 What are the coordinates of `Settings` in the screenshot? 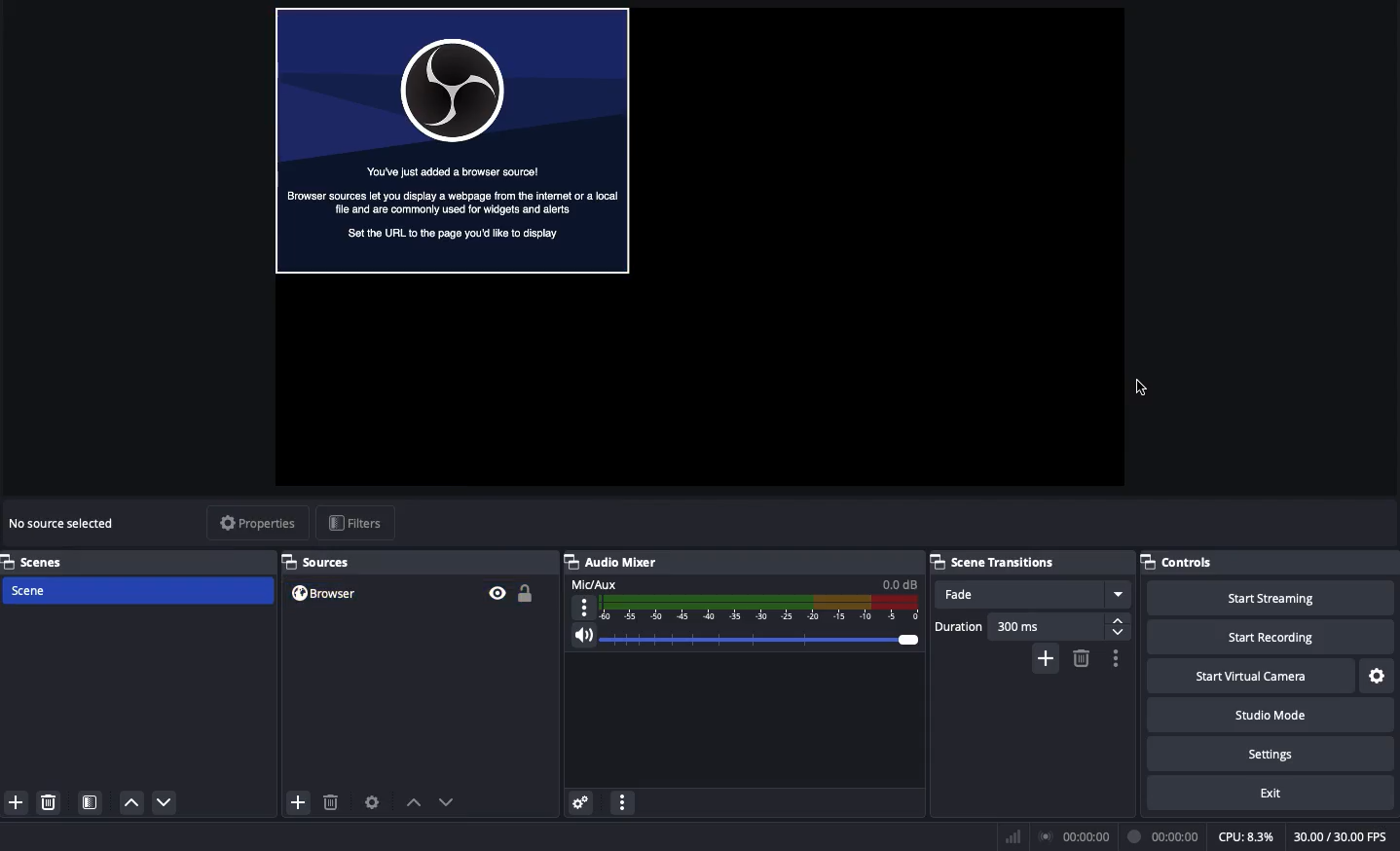 It's located at (1271, 753).